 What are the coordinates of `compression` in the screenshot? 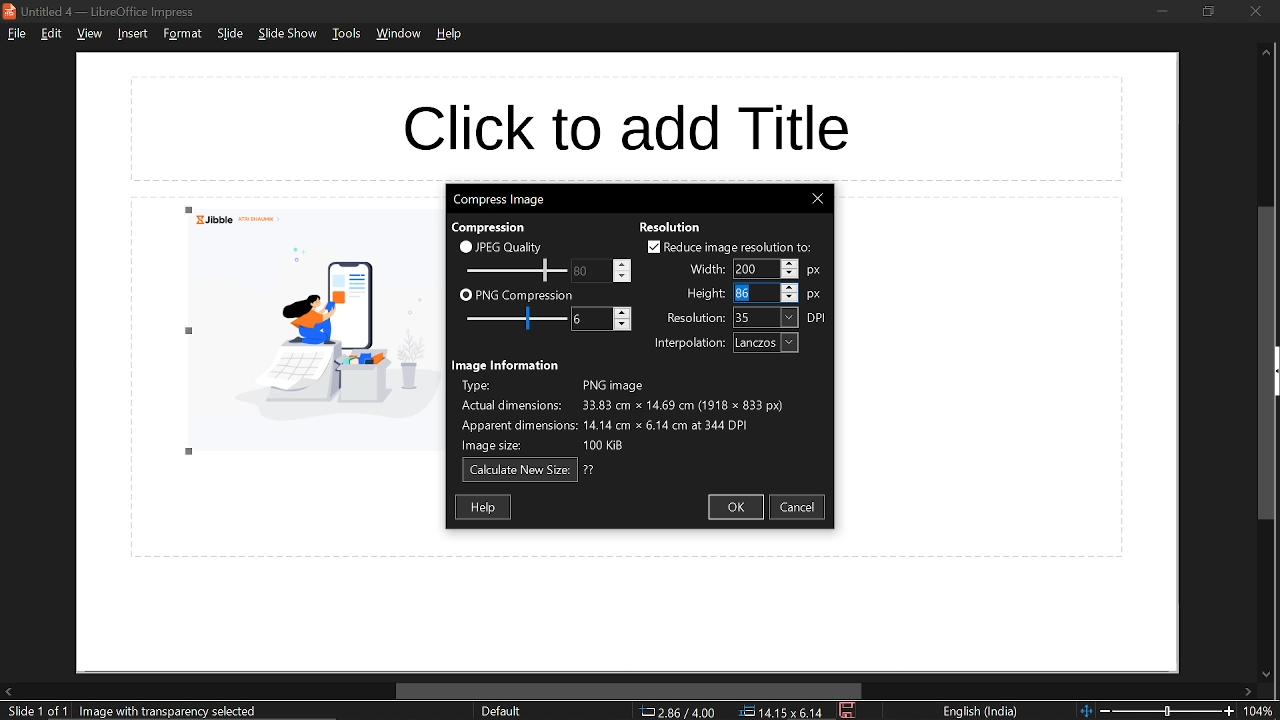 It's located at (487, 228).